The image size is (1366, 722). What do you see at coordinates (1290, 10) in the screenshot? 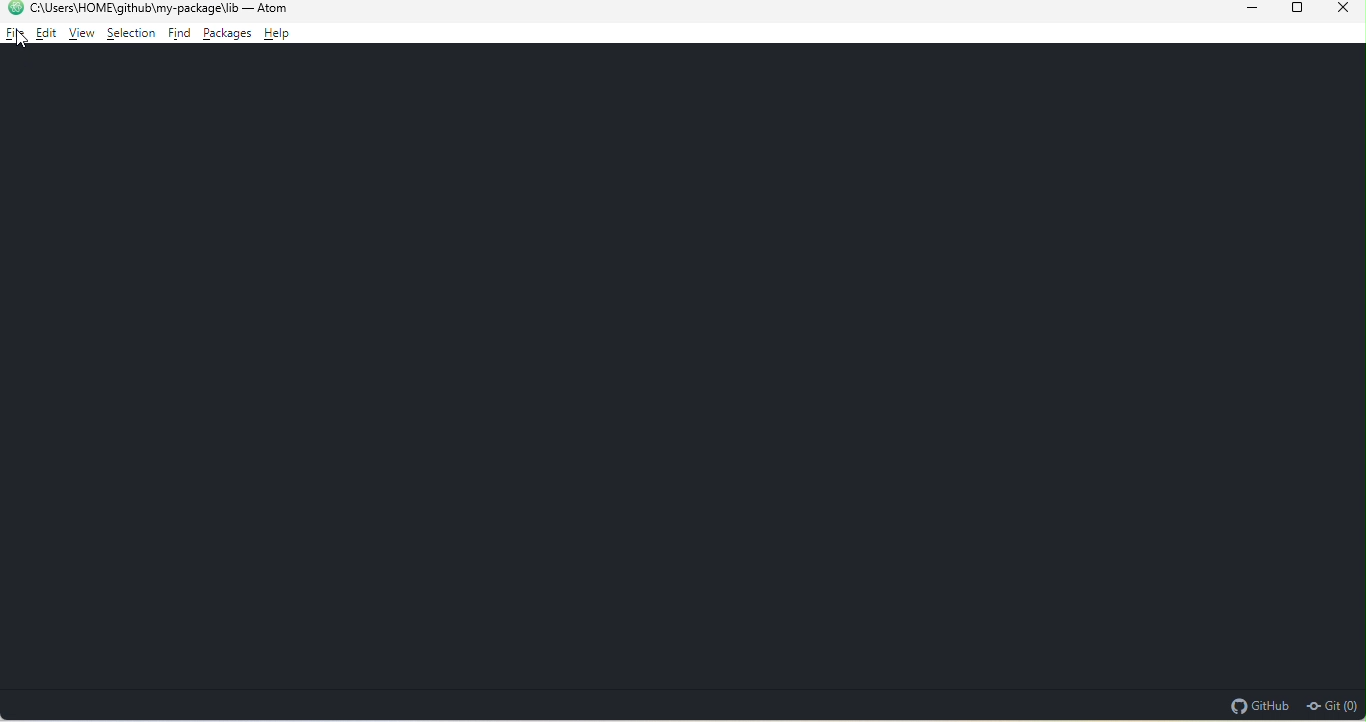
I see `maximize` at bounding box center [1290, 10].